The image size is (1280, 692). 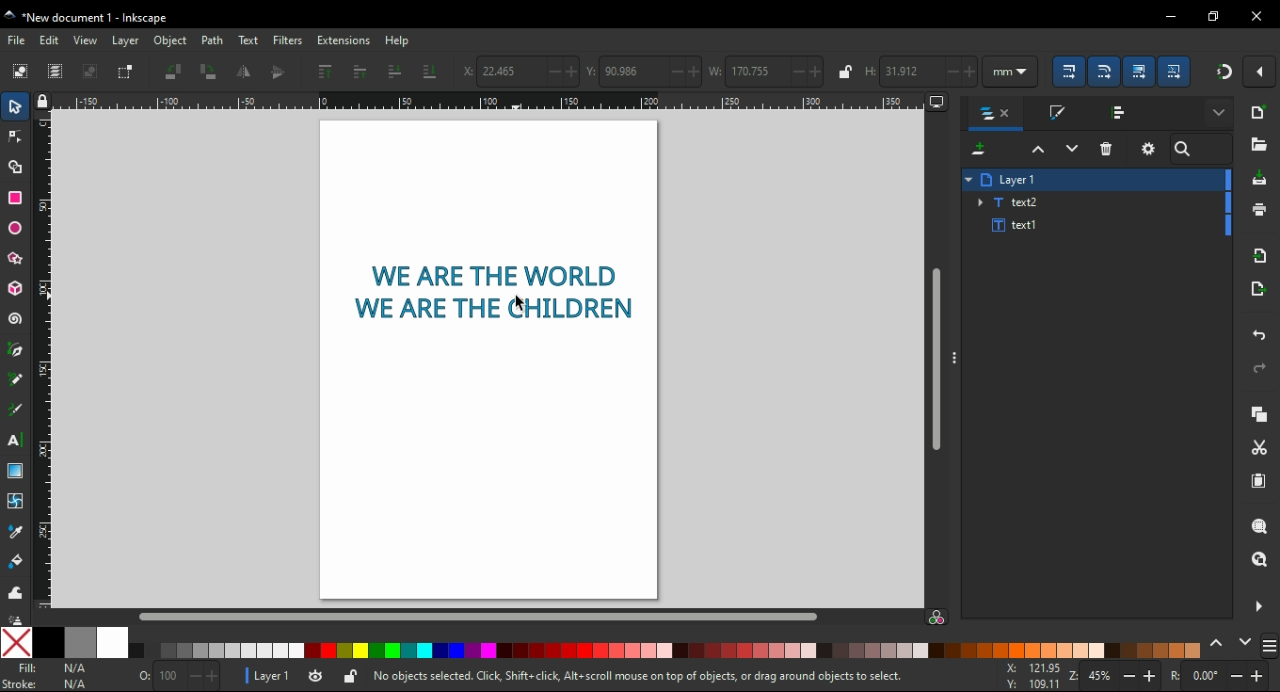 I want to click on open , so click(x=1260, y=144).